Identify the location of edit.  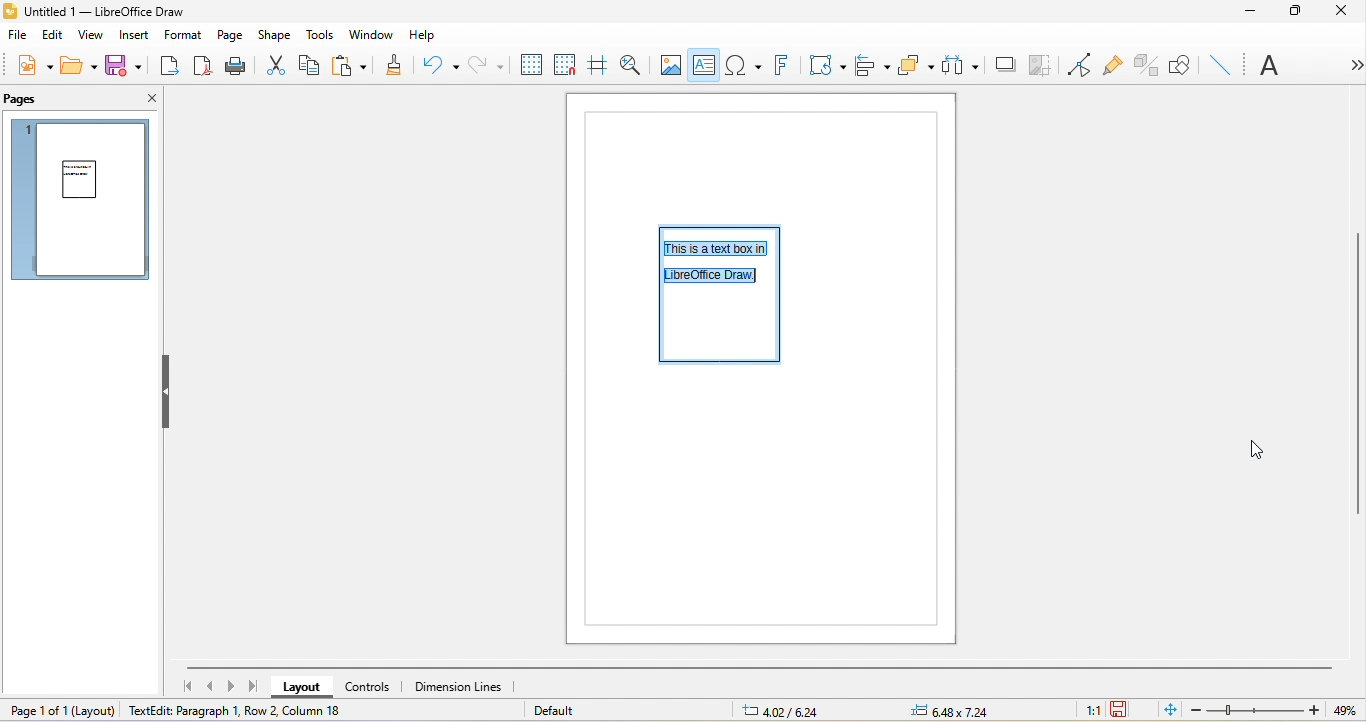
(53, 36).